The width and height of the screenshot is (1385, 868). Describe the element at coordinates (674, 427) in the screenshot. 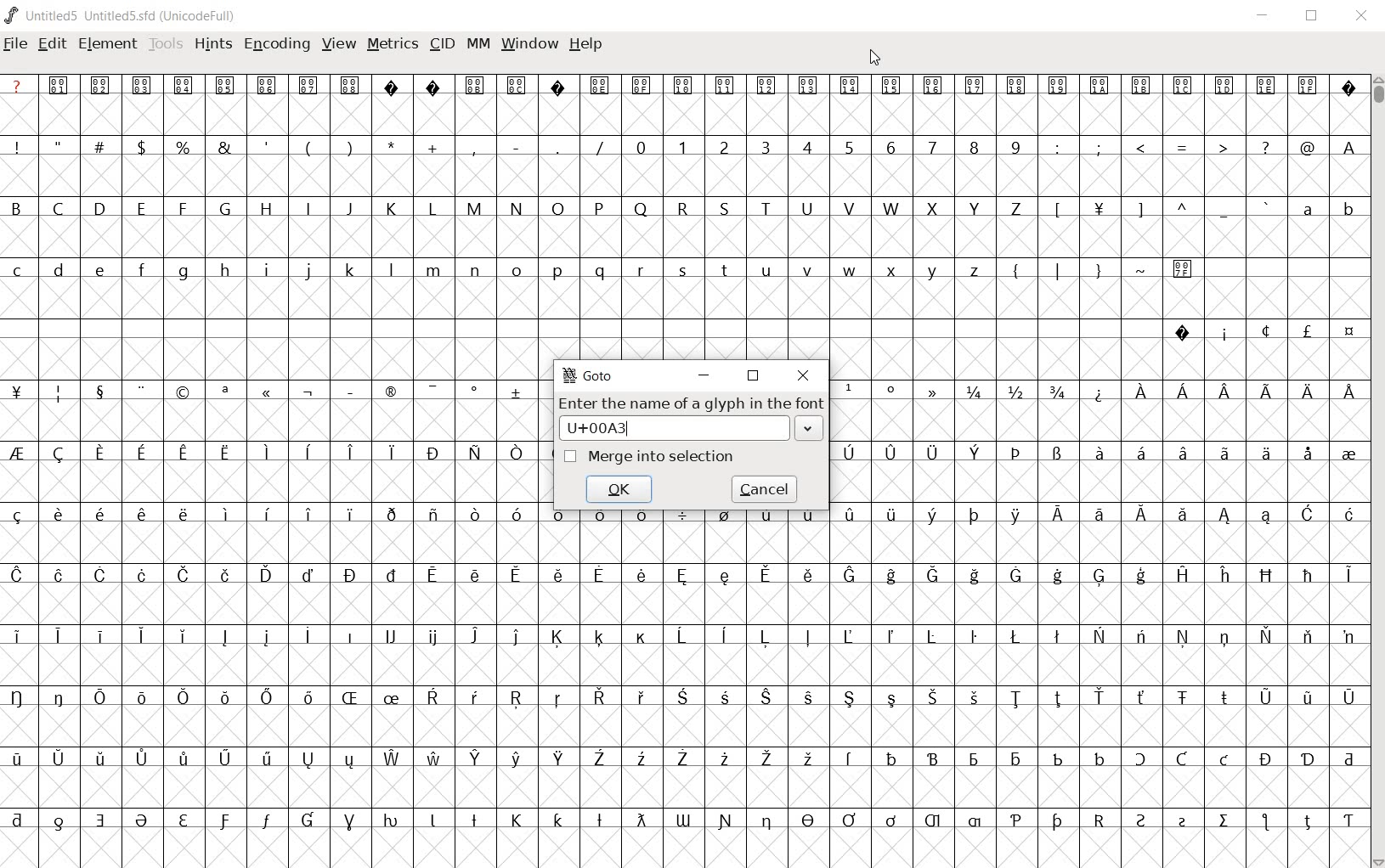

I see `Unicode value` at that location.